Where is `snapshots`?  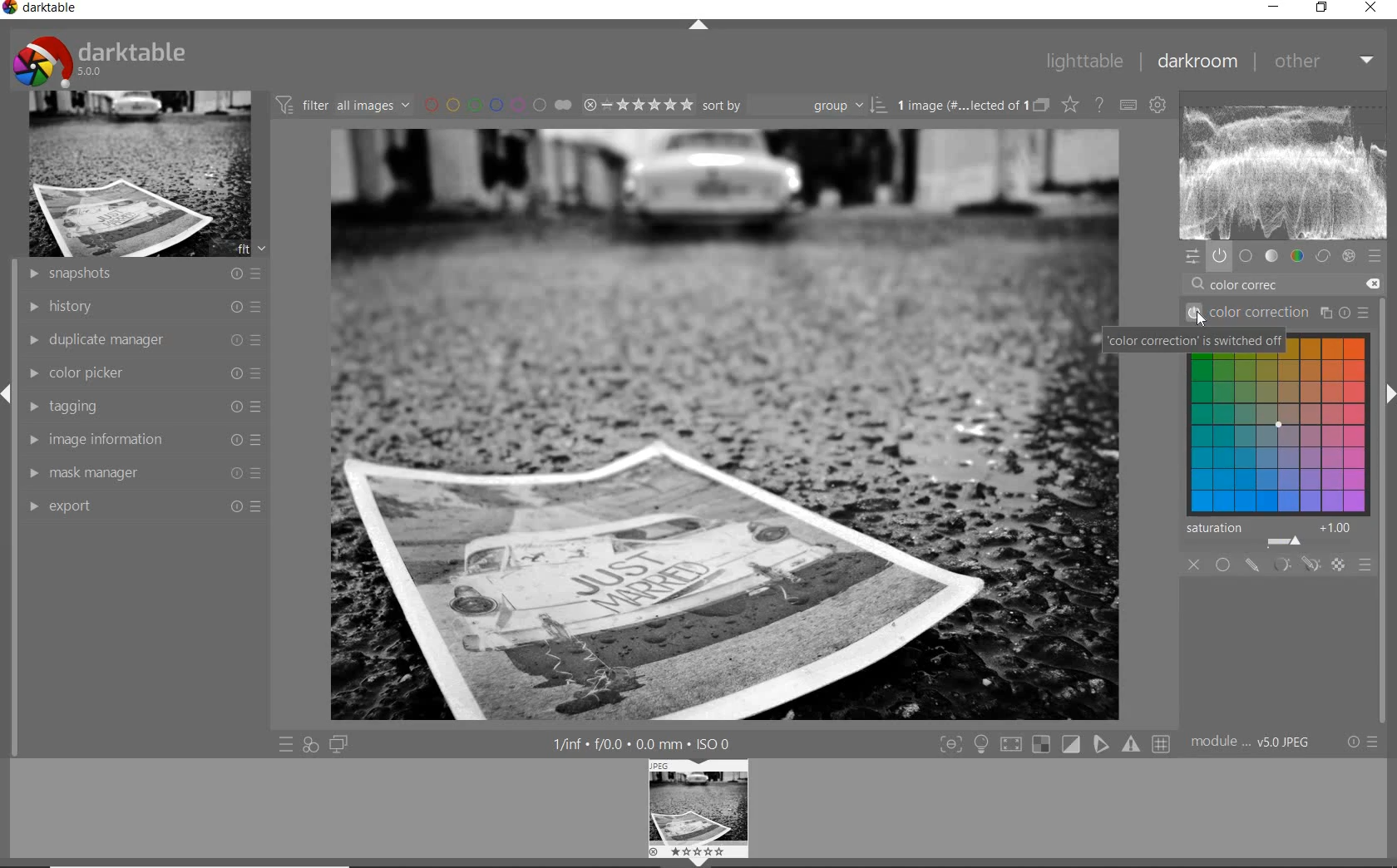 snapshots is located at coordinates (142, 275).